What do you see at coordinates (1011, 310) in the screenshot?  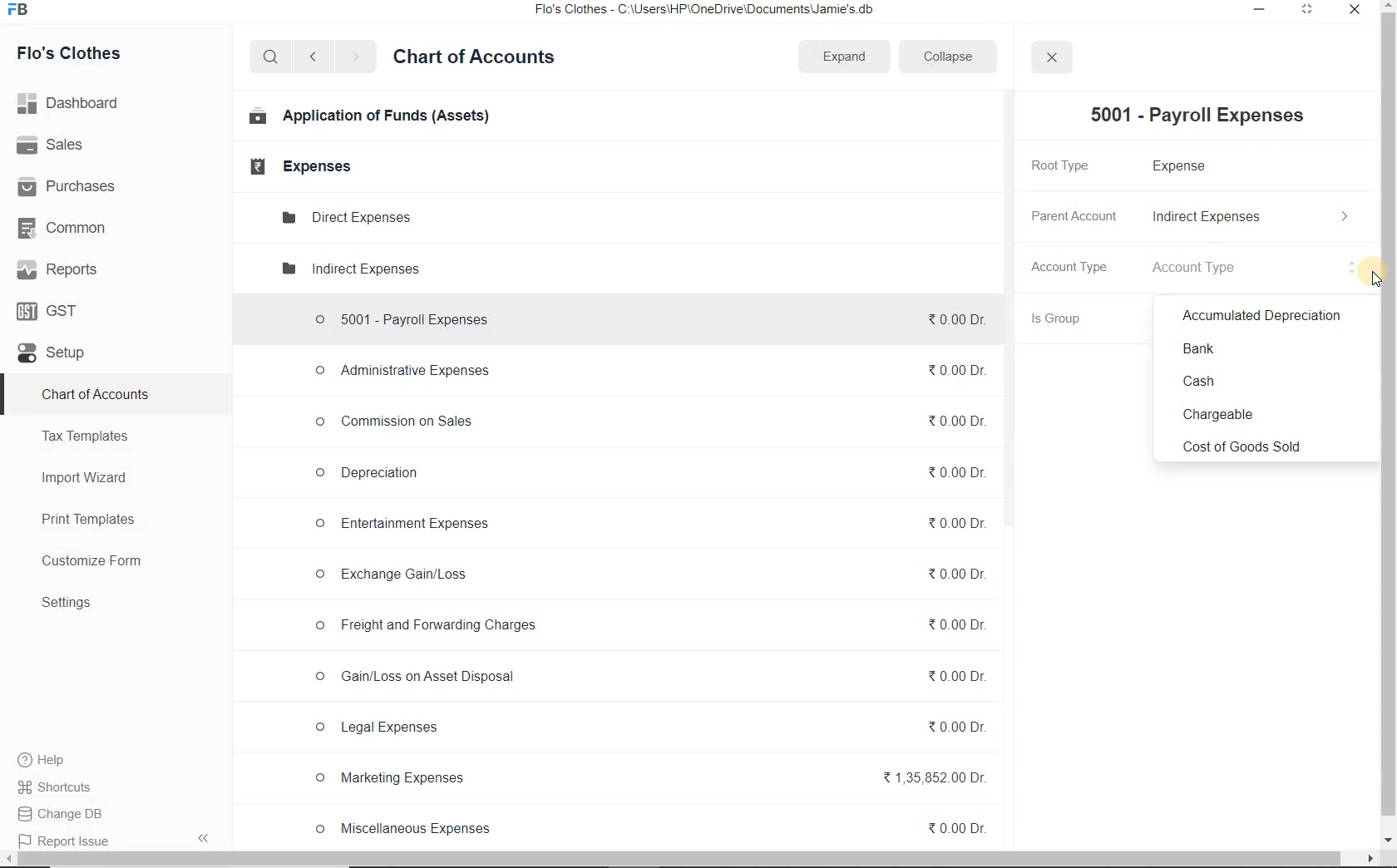 I see `vertical scrollbar` at bounding box center [1011, 310].